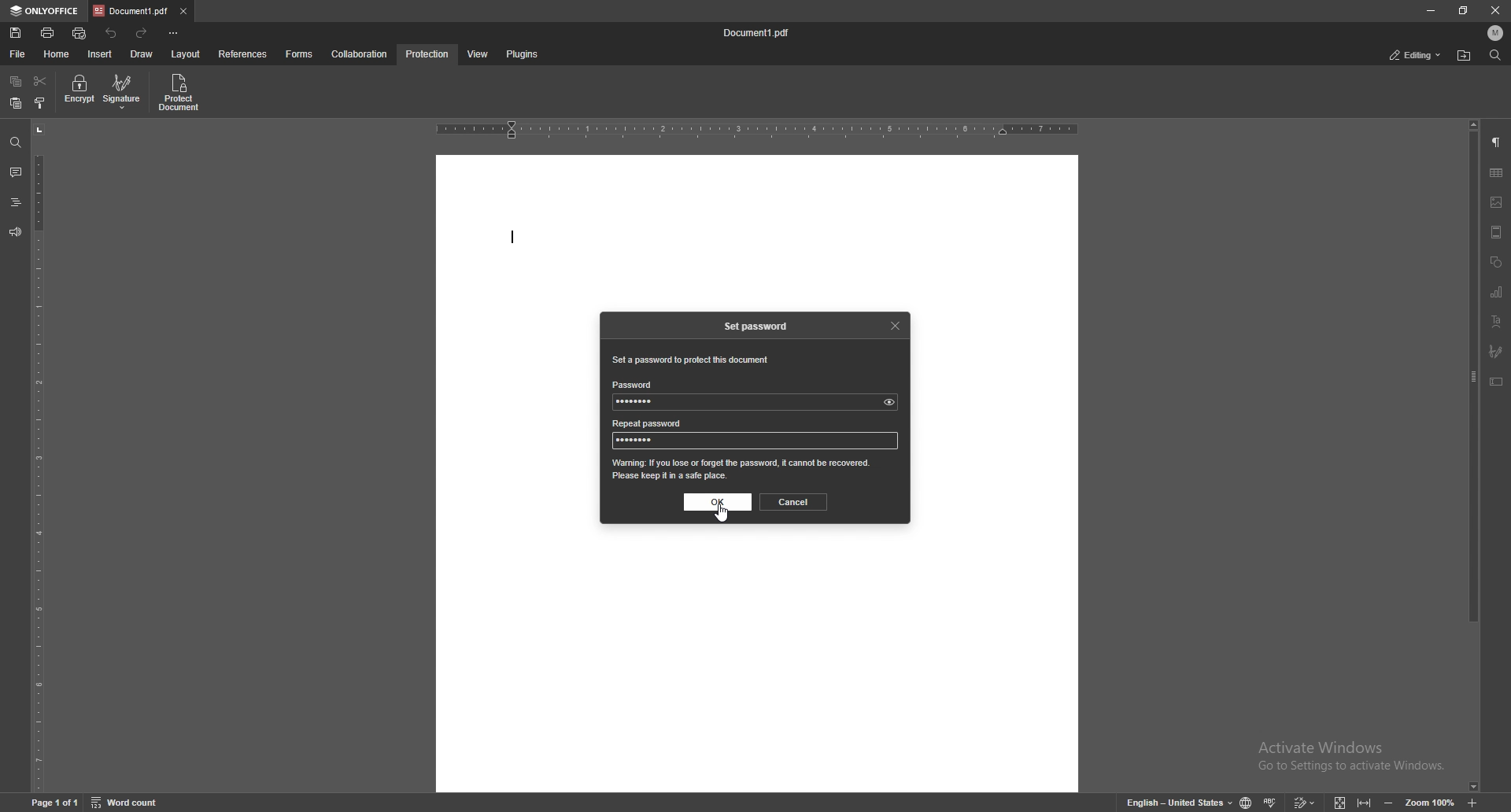 This screenshot has width=1511, height=812. Describe the element at coordinates (183, 10) in the screenshot. I see `close tab` at that location.